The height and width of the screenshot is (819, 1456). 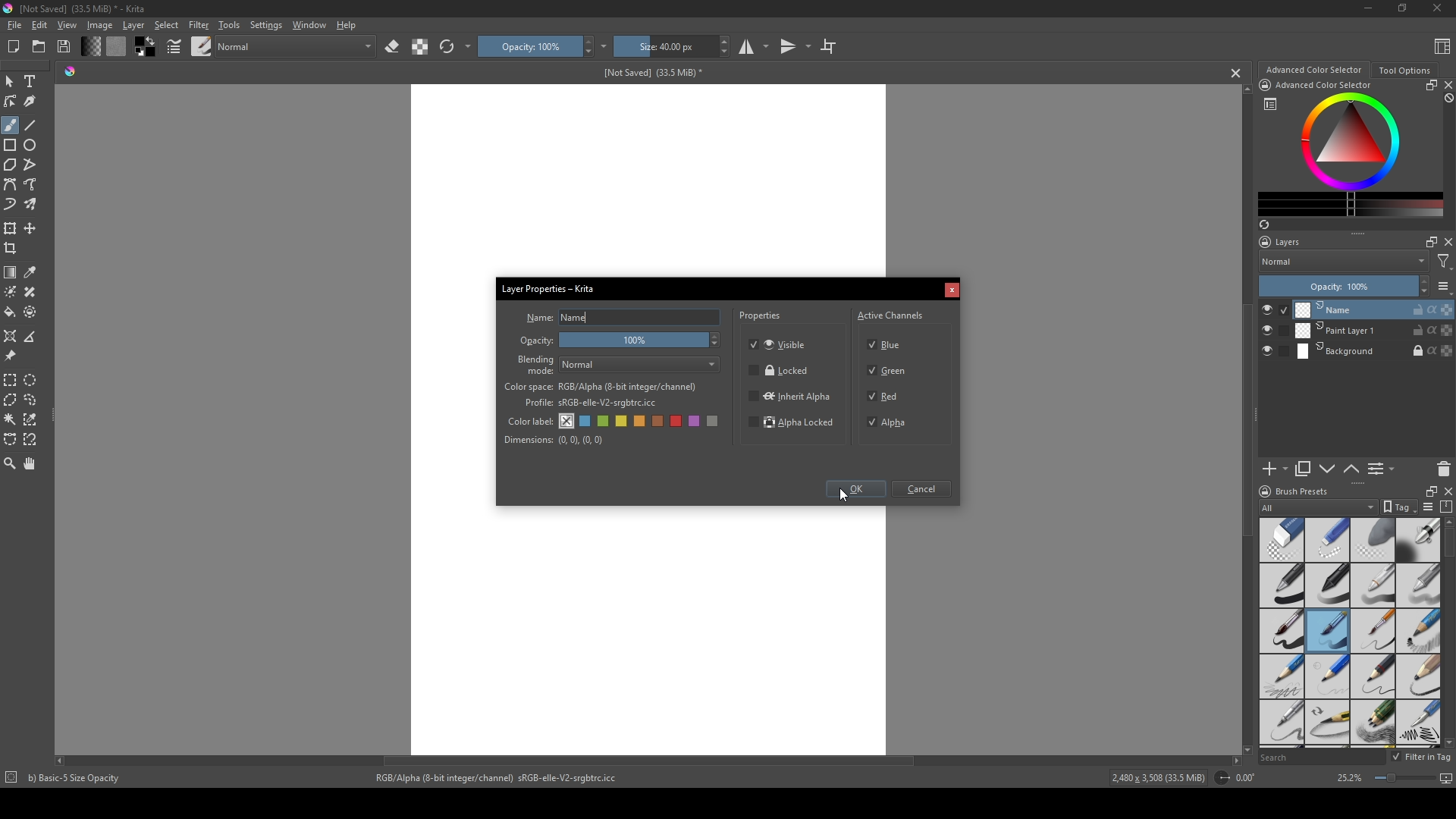 I want to click on measure, so click(x=33, y=337).